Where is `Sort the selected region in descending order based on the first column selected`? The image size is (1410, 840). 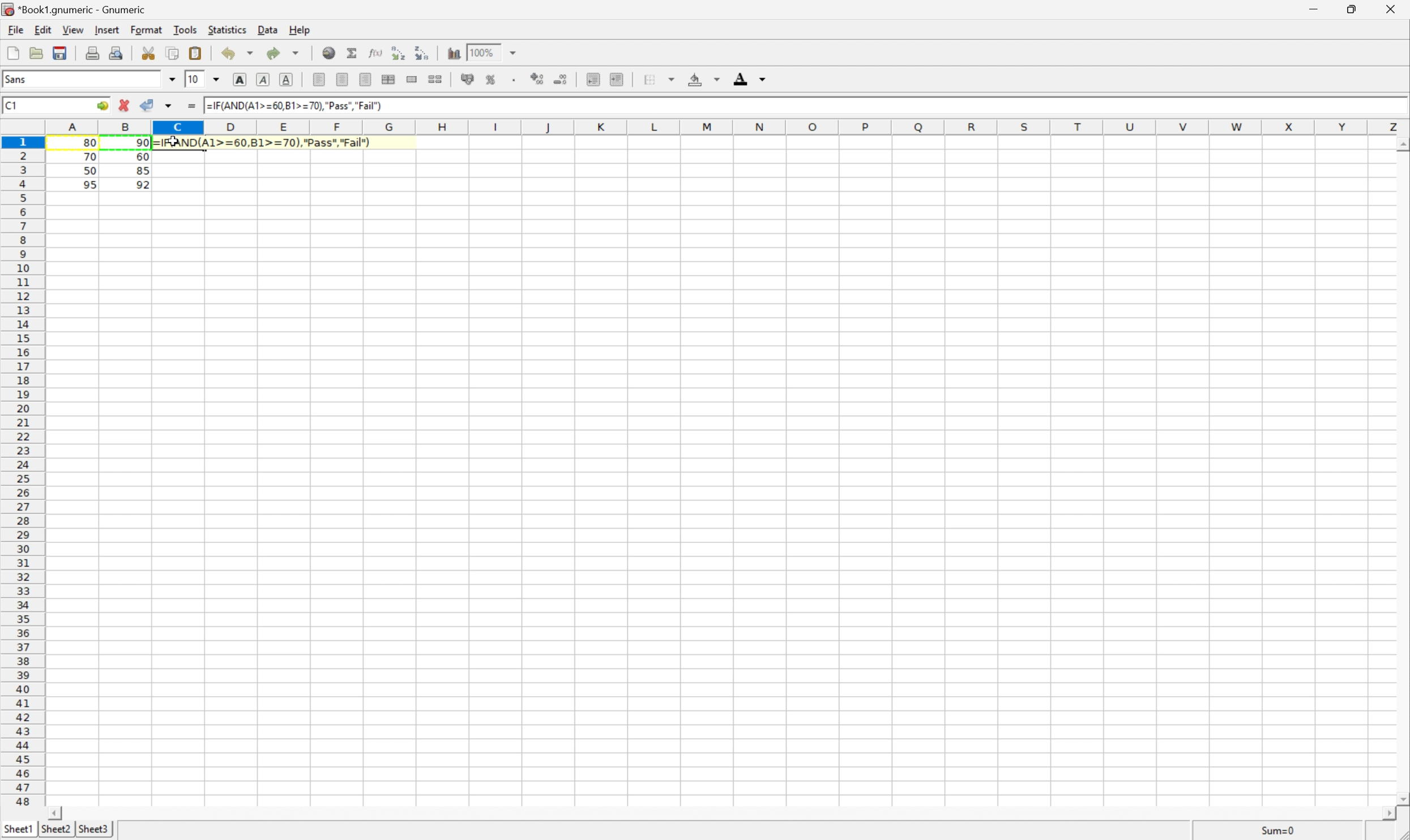
Sort the selected region in descending order based on the first column selected is located at coordinates (424, 54).